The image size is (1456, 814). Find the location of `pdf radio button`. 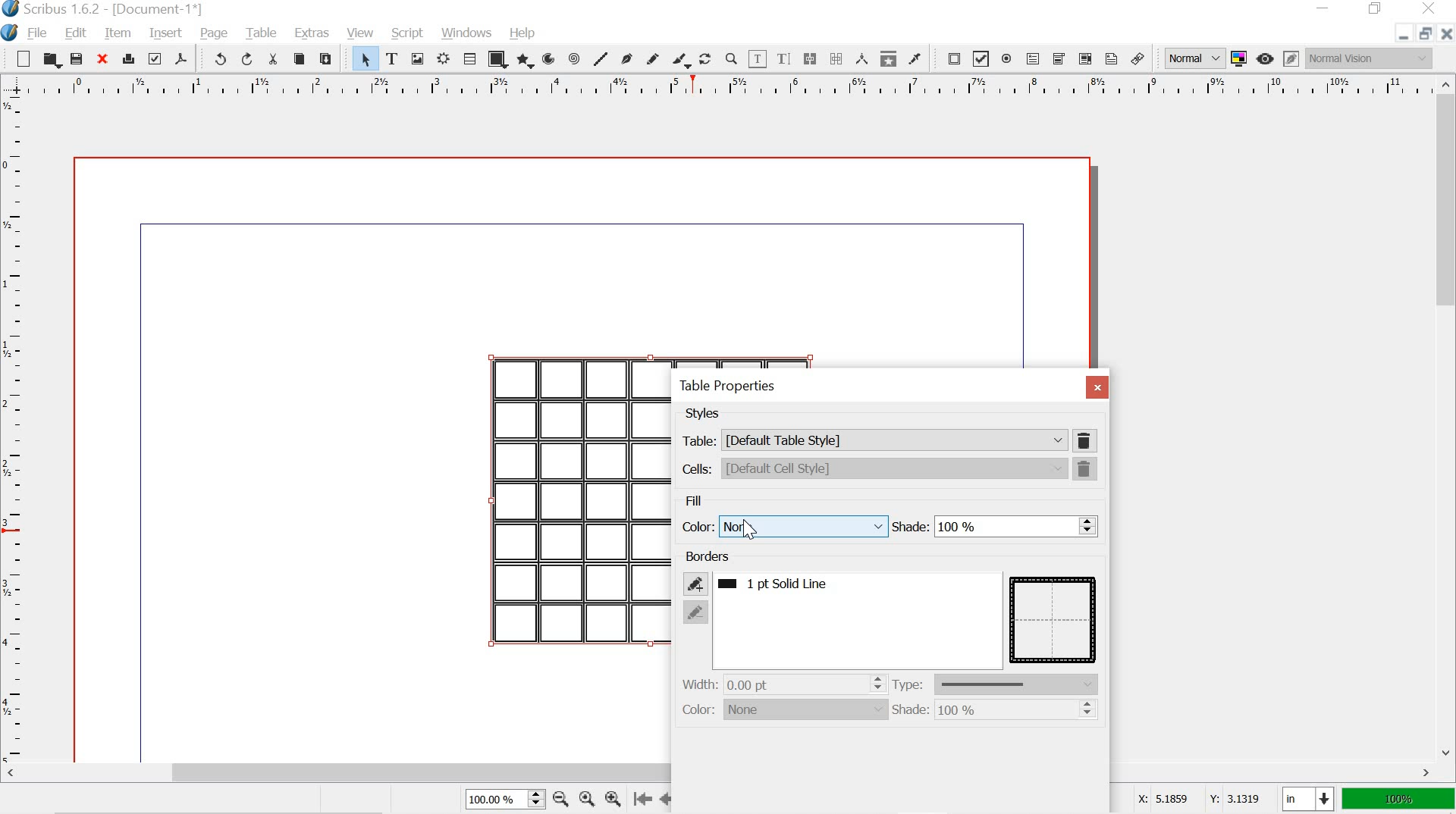

pdf radio button is located at coordinates (1006, 59).